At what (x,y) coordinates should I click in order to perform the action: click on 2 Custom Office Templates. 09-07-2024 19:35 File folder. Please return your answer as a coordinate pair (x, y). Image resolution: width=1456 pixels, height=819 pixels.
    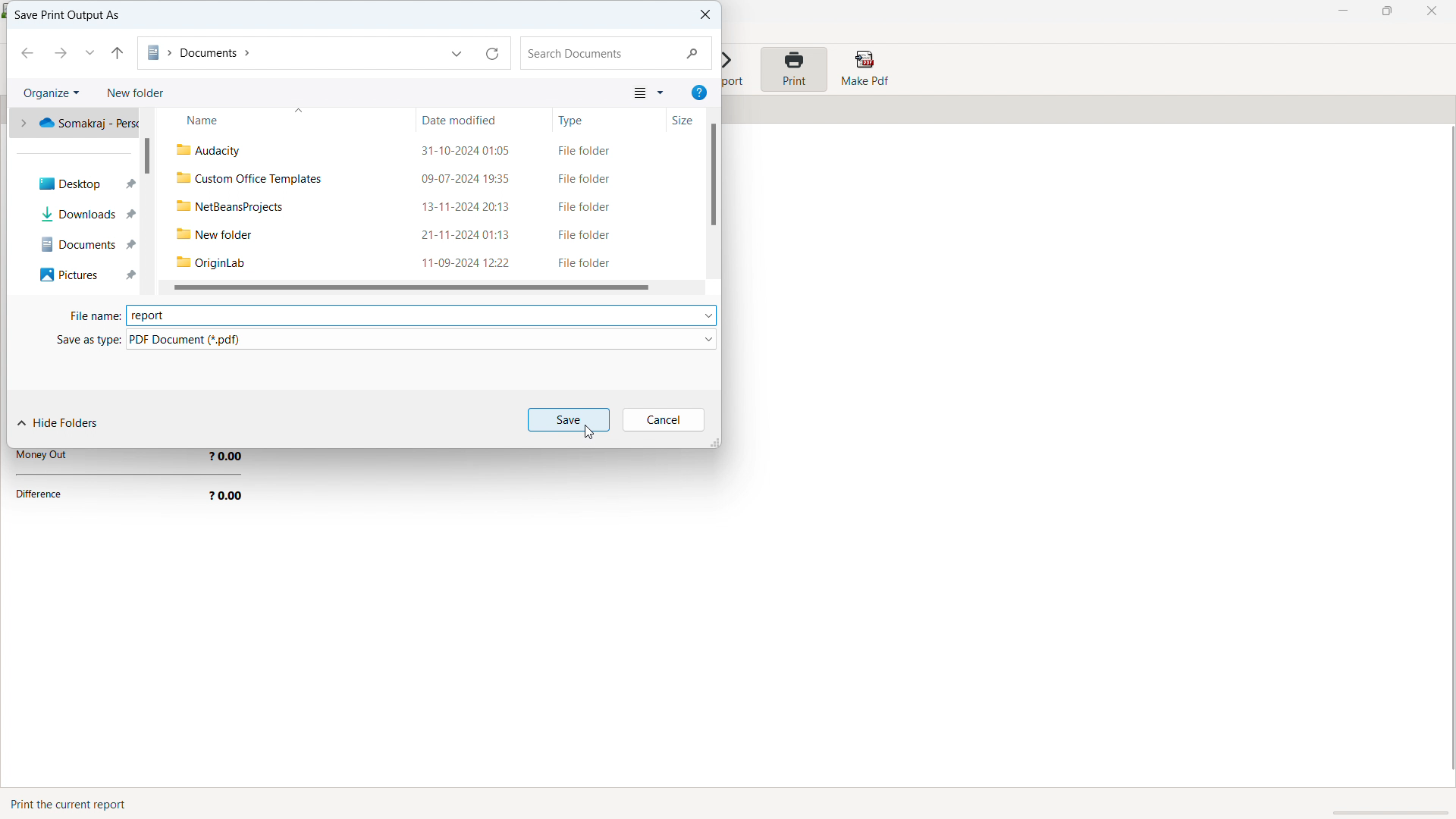
    Looking at the image, I should click on (423, 179).